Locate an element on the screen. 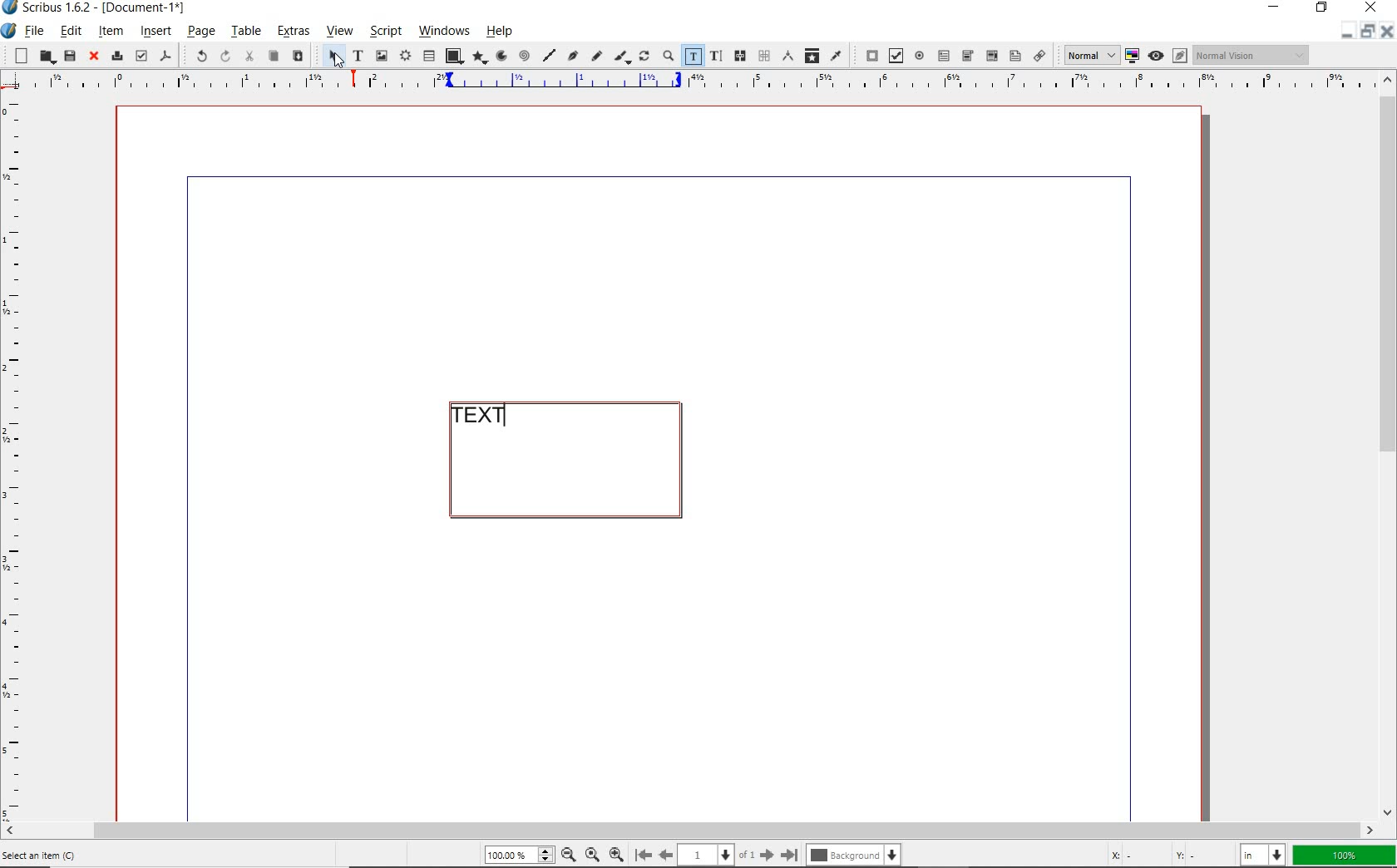  pdf list box is located at coordinates (1014, 56).